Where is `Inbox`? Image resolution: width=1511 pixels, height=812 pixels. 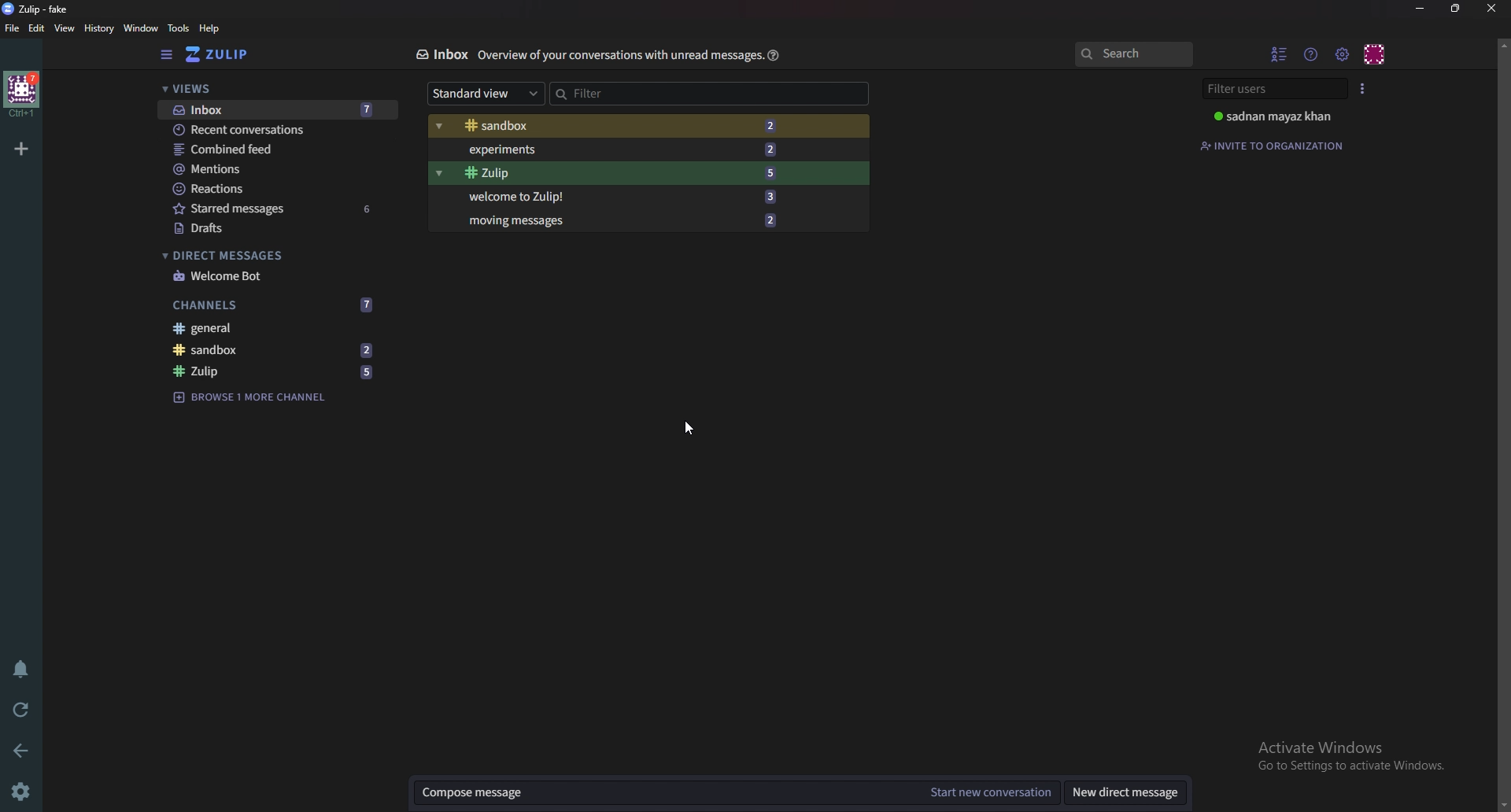 Inbox is located at coordinates (276, 111).